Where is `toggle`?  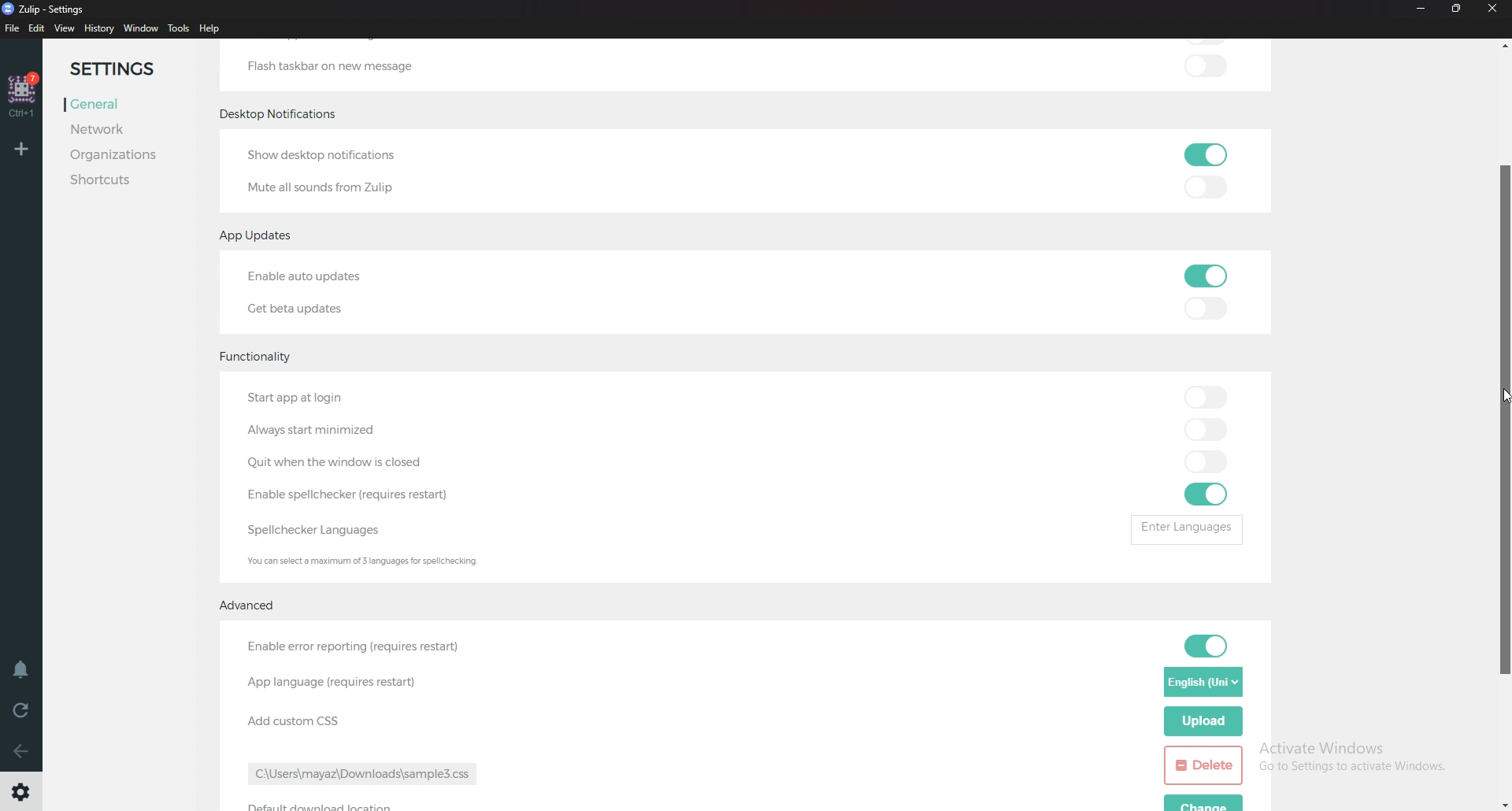 toggle is located at coordinates (1206, 305).